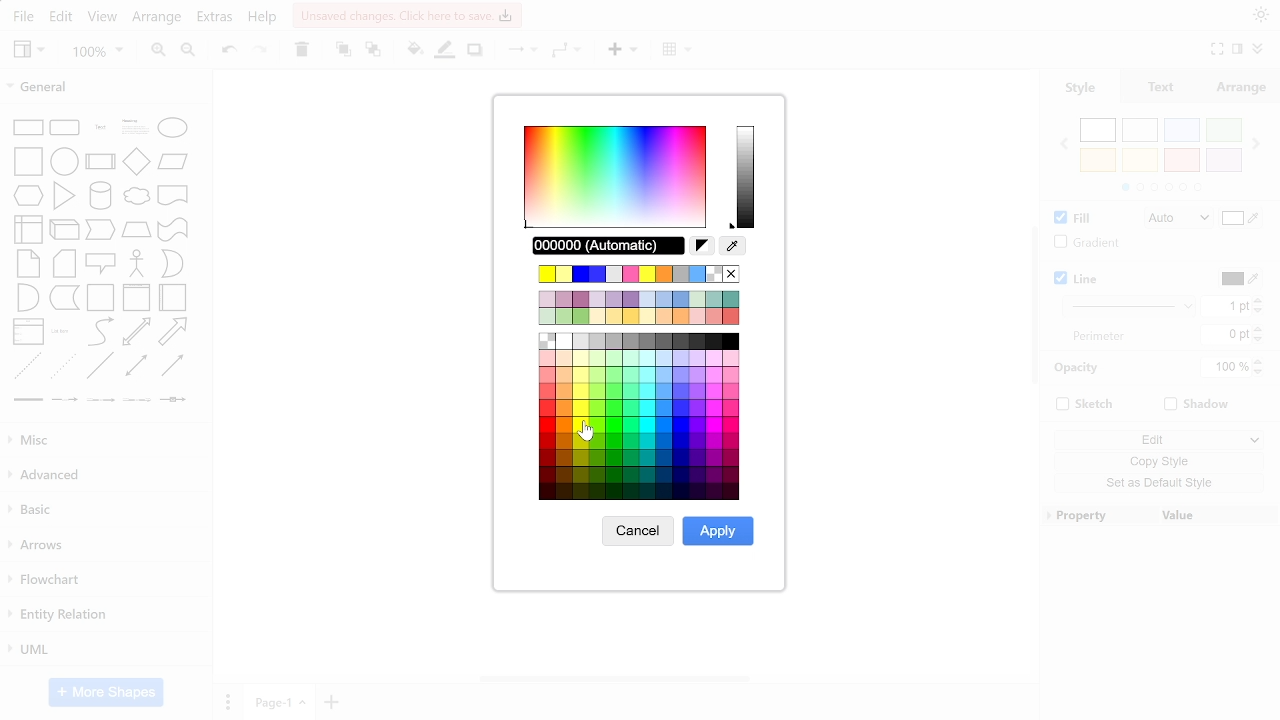 This screenshot has height=720, width=1280. Describe the element at coordinates (587, 434) in the screenshot. I see `Cursor` at that location.